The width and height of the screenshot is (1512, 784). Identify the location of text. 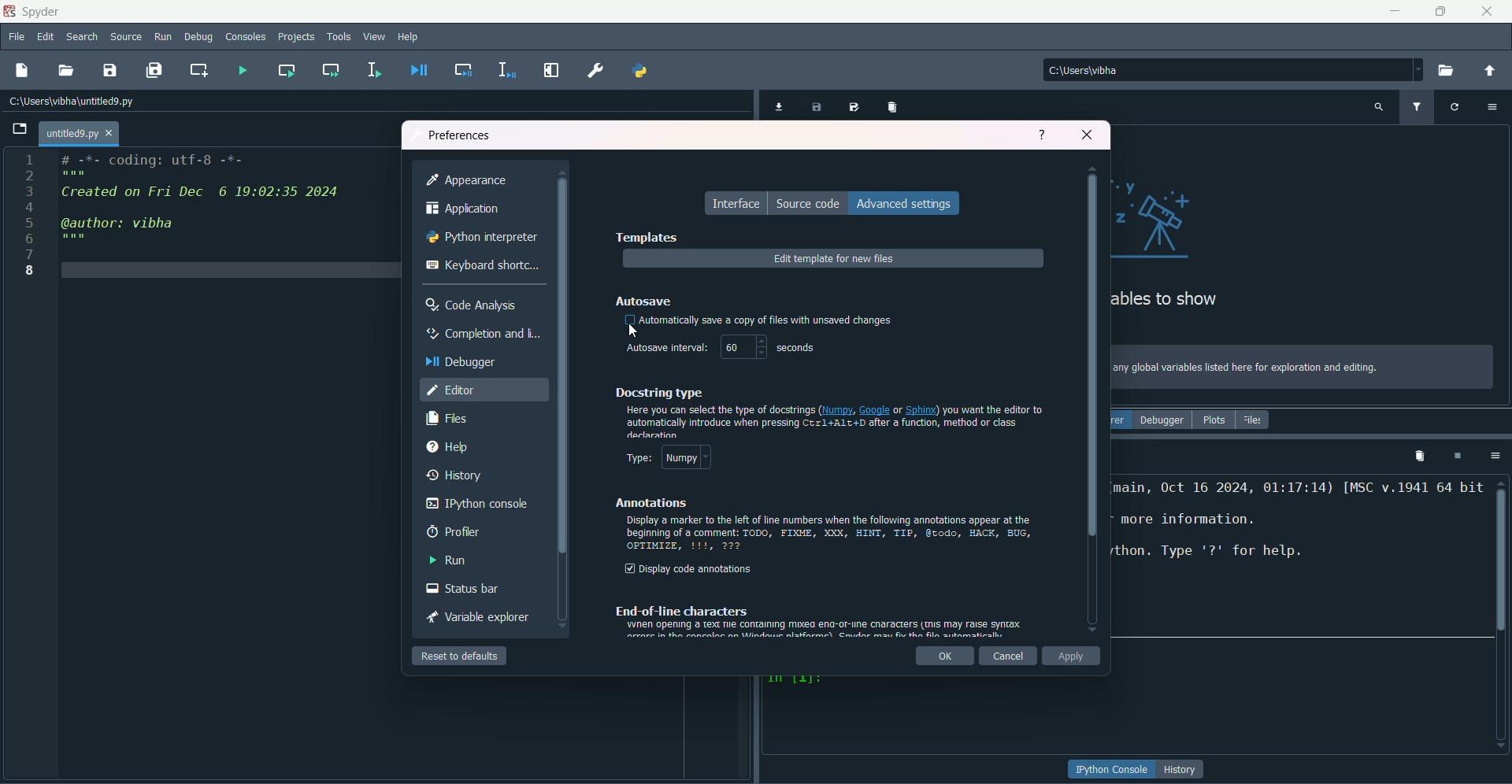
(1247, 368).